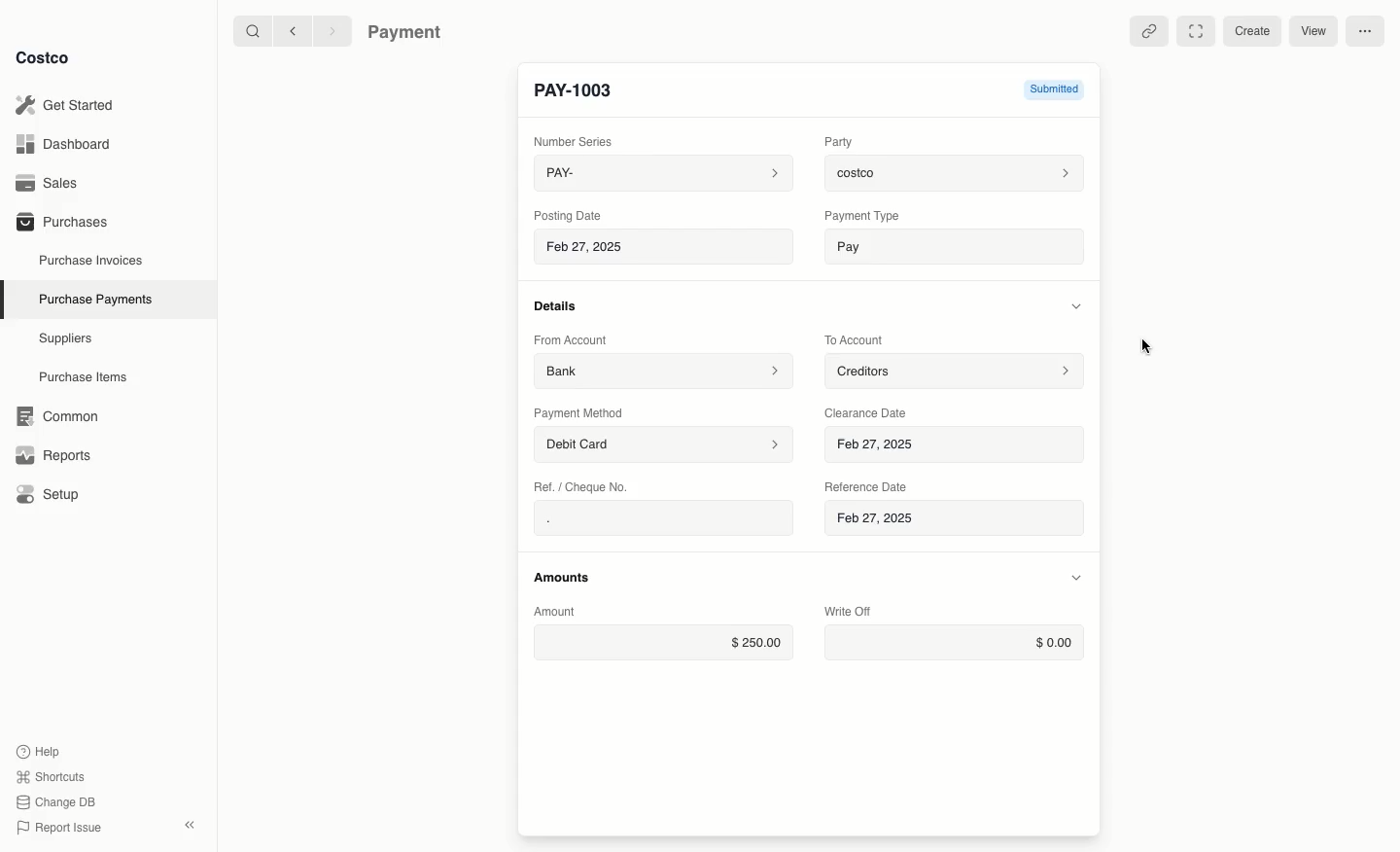 This screenshot has height=852, width=1400. What do you see at coordinates (1145, 32) in the screenshot?
I see `Linked references` at bounding box center [1145, 32].